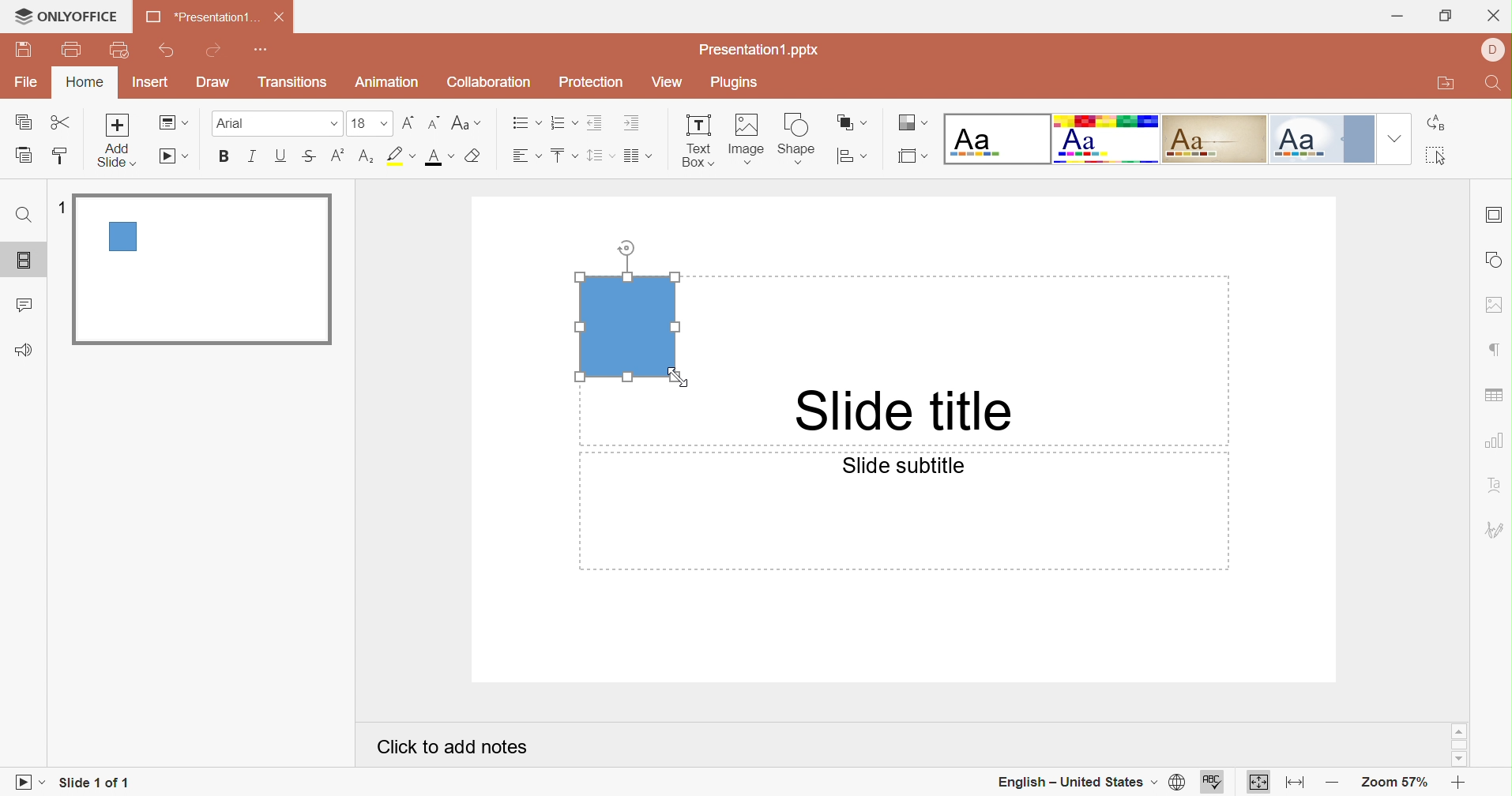 Image resolution: width=1512 pixels, height=796 pixels. Describe the element at coordinates (732, 83) in the screenshot. I see `Plugins` at that location.